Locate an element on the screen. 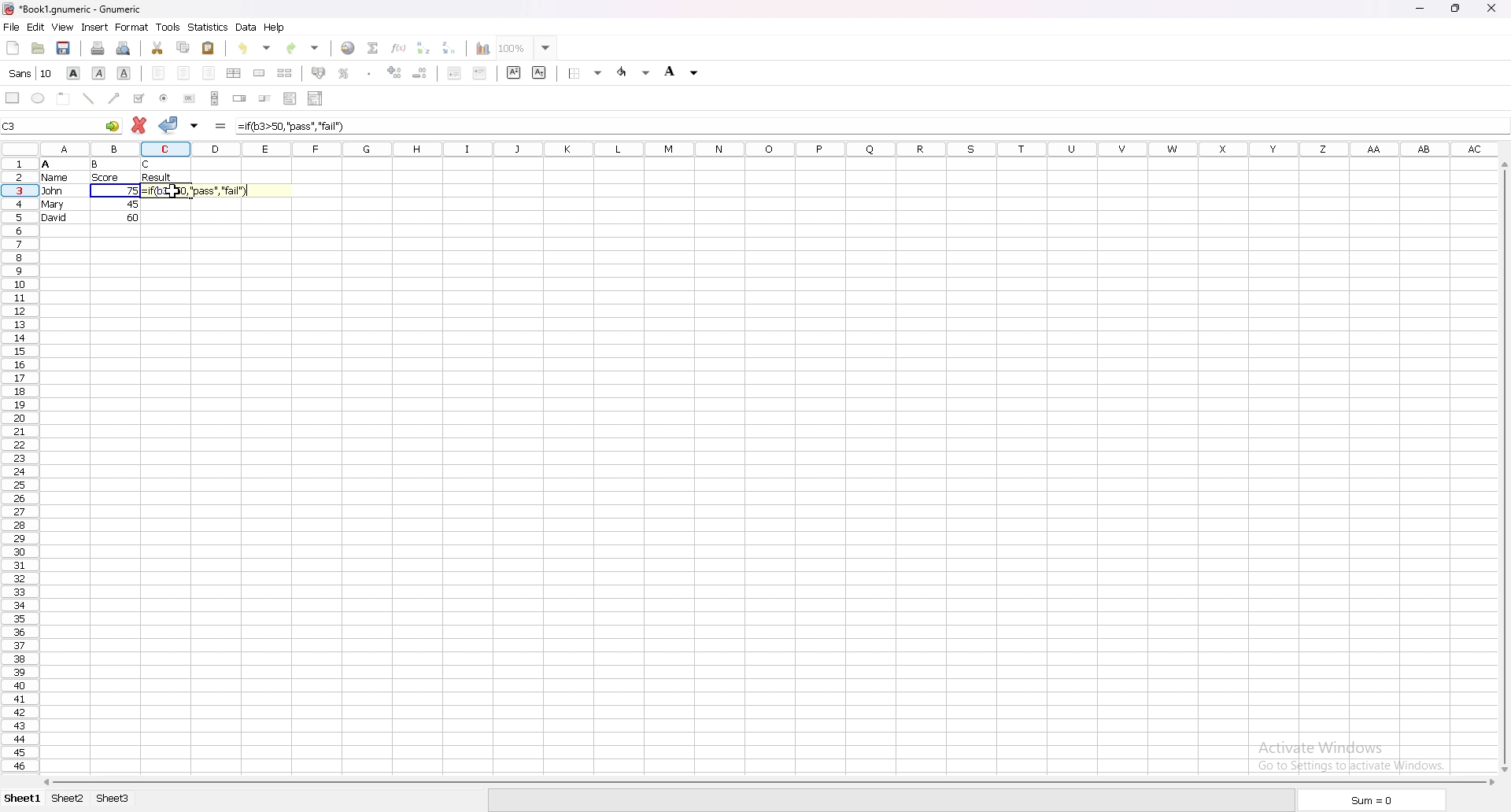 Image resolution: width=1511 pixels, height=812 pixels. a is located at coordinates (46, 164).